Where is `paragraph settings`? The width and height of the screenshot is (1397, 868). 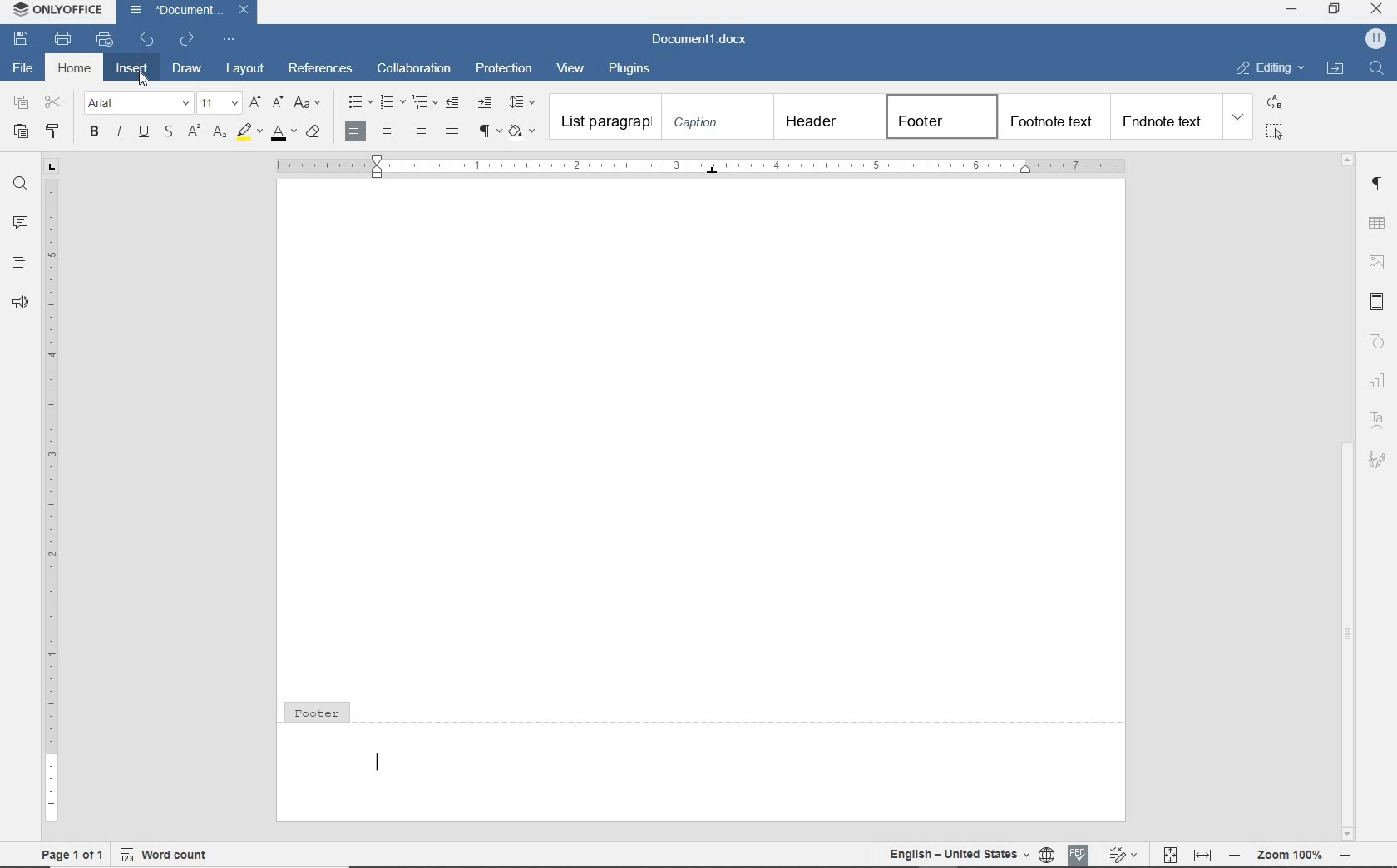
paragraph settings is located at coordinates (1380, 185).